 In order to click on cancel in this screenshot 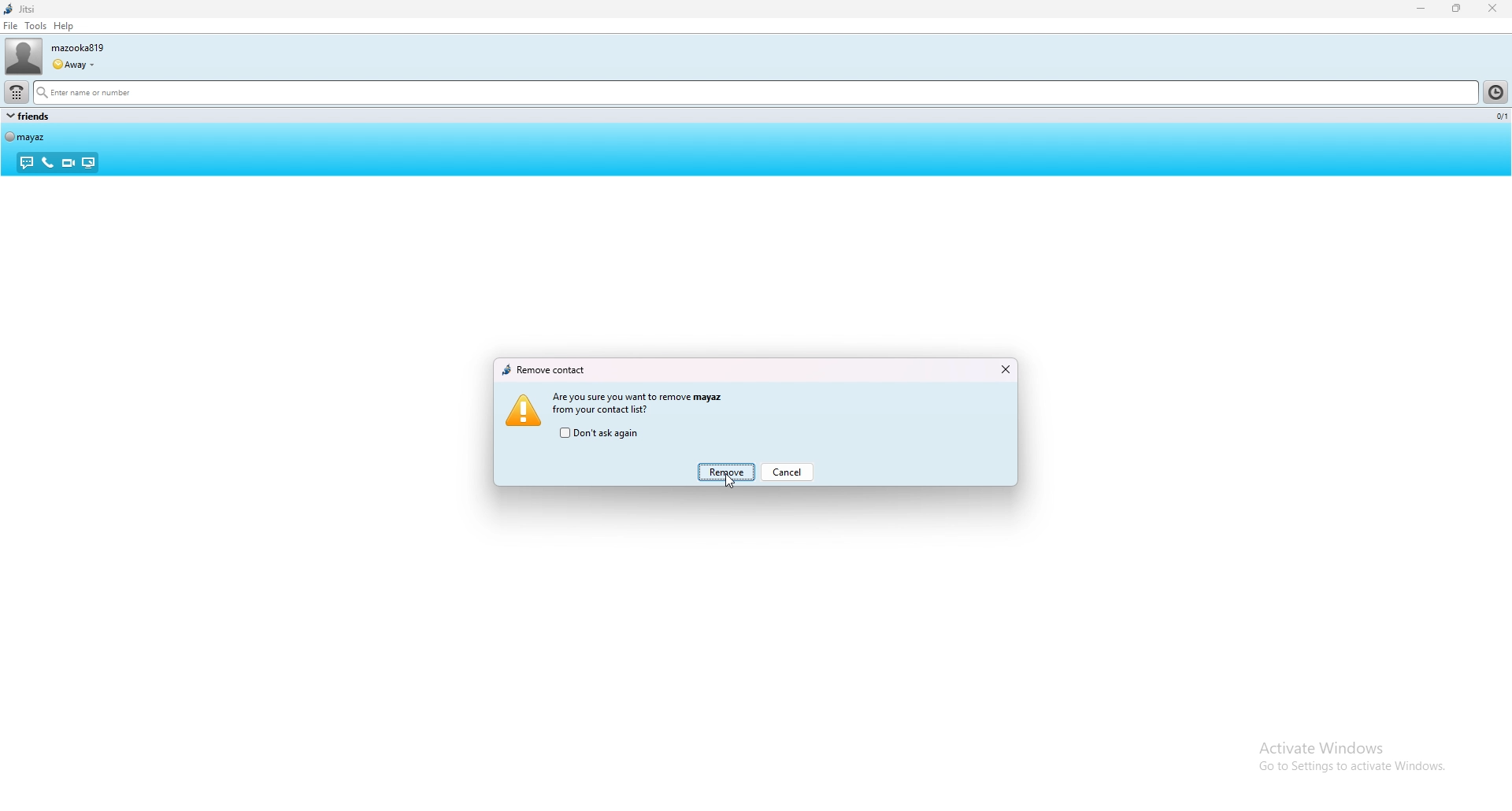, I will do `click(787, 472)`.